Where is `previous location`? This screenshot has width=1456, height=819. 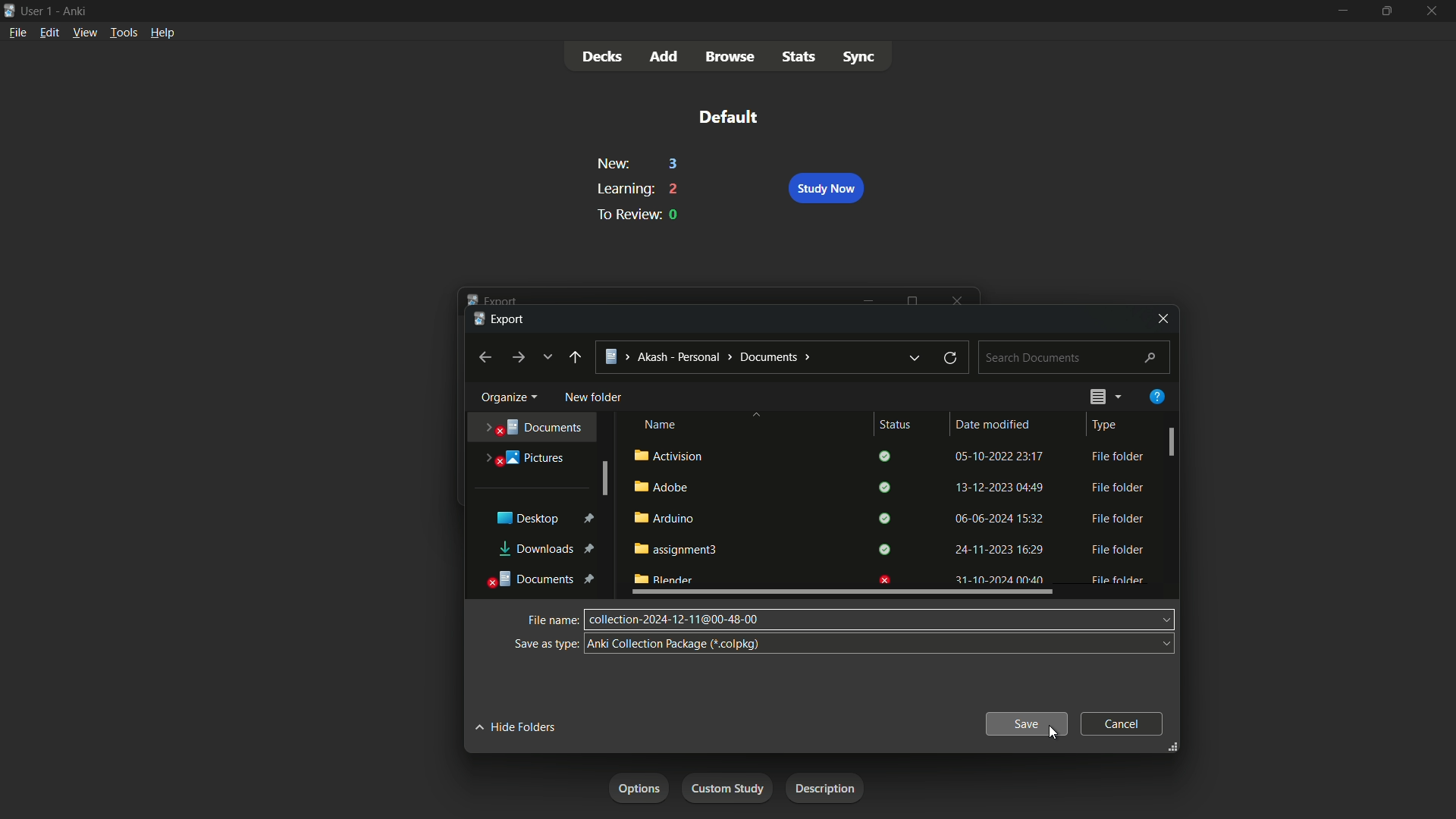
previous location is located at coordinates (916, 359).